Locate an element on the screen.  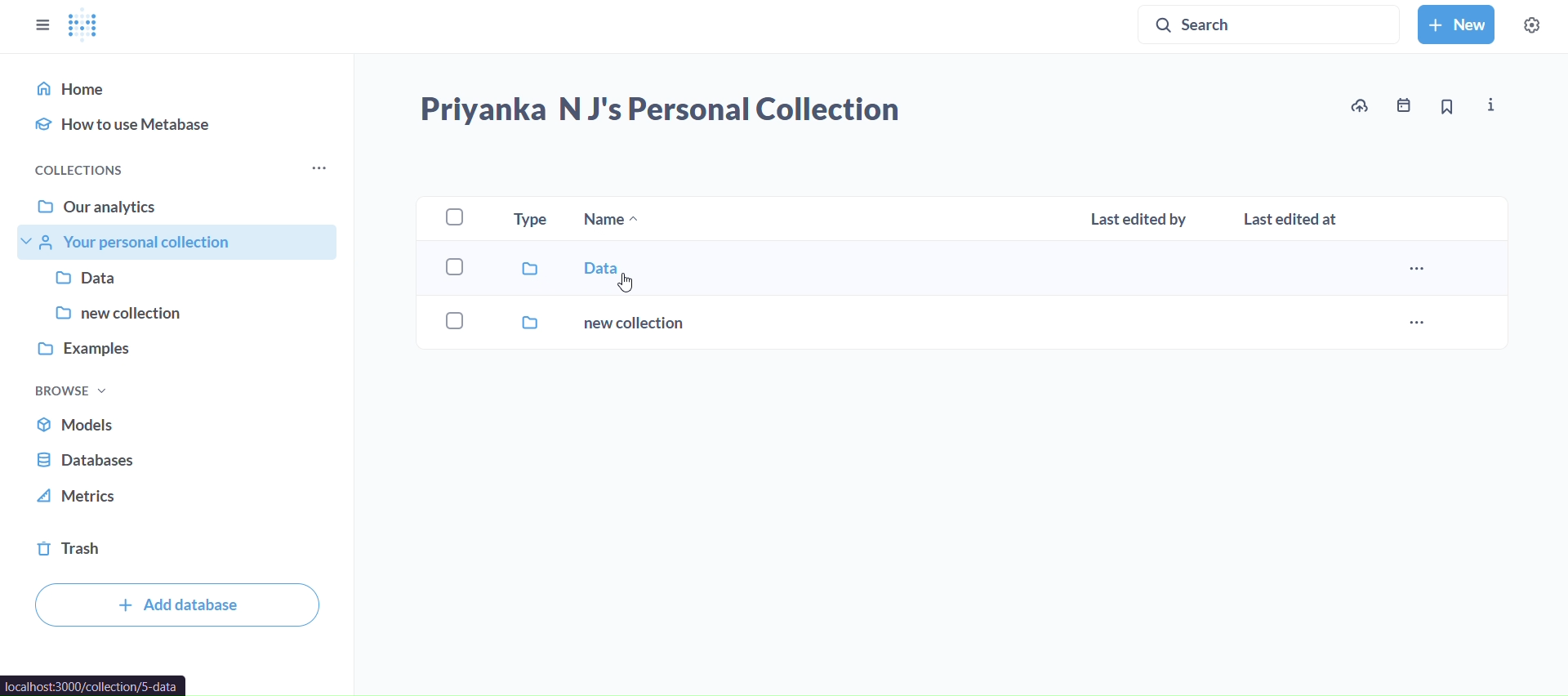
home is located at coordinates (182, 84).